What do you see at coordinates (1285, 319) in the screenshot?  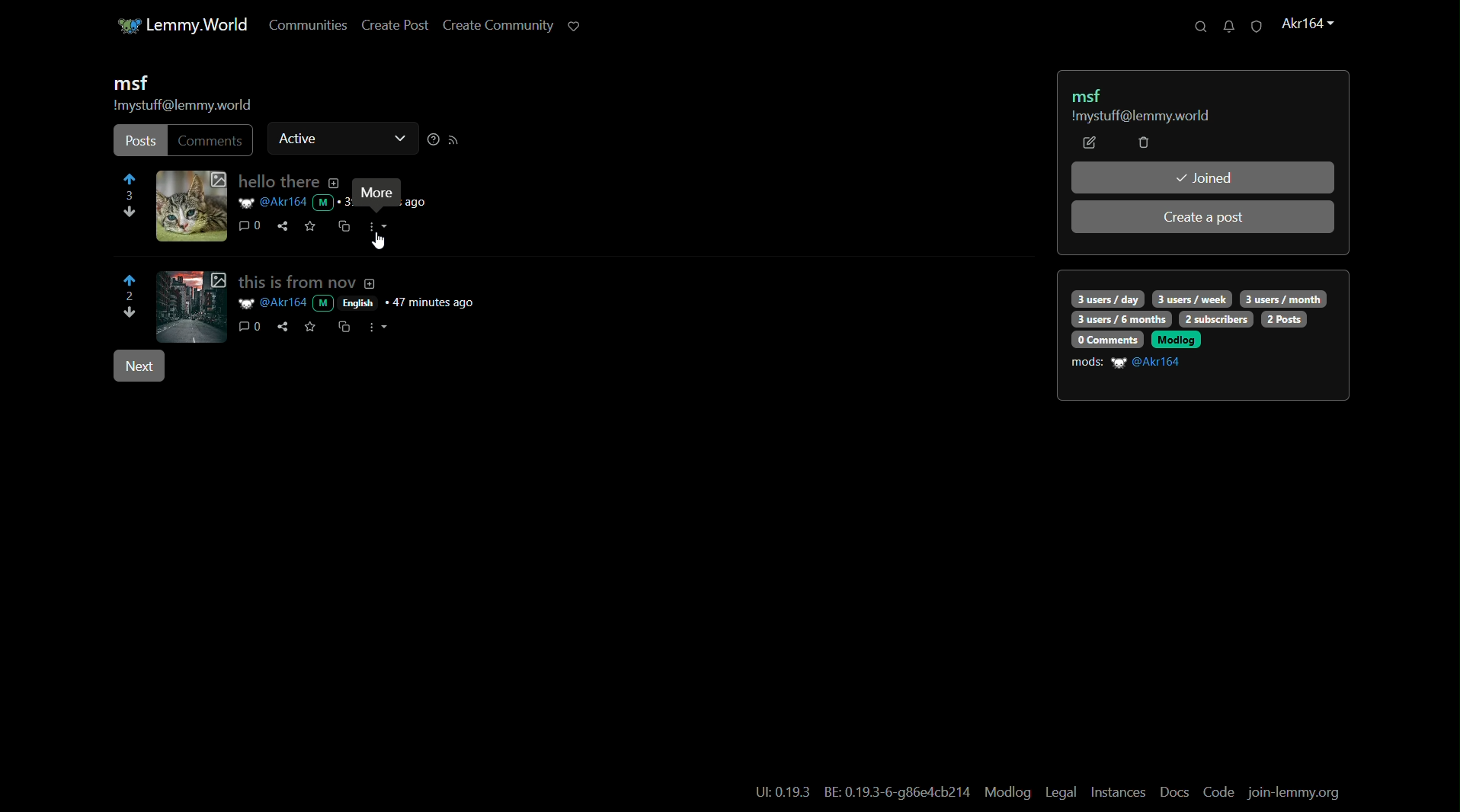 I see `2 posts` at bounding box center [1285, 319].